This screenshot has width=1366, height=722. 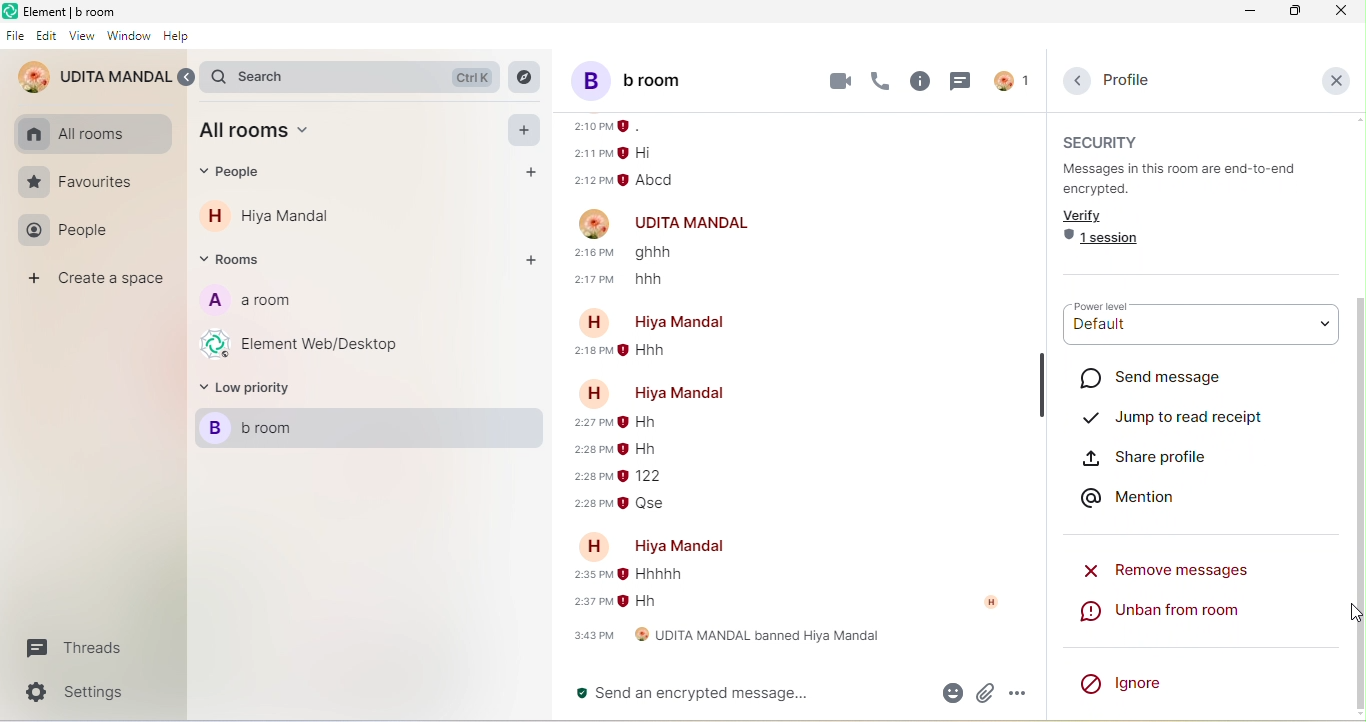 What do you see at coordinates (1089, 216) in the screenshot?
I see `verify` at bounding box center [1089, 216].